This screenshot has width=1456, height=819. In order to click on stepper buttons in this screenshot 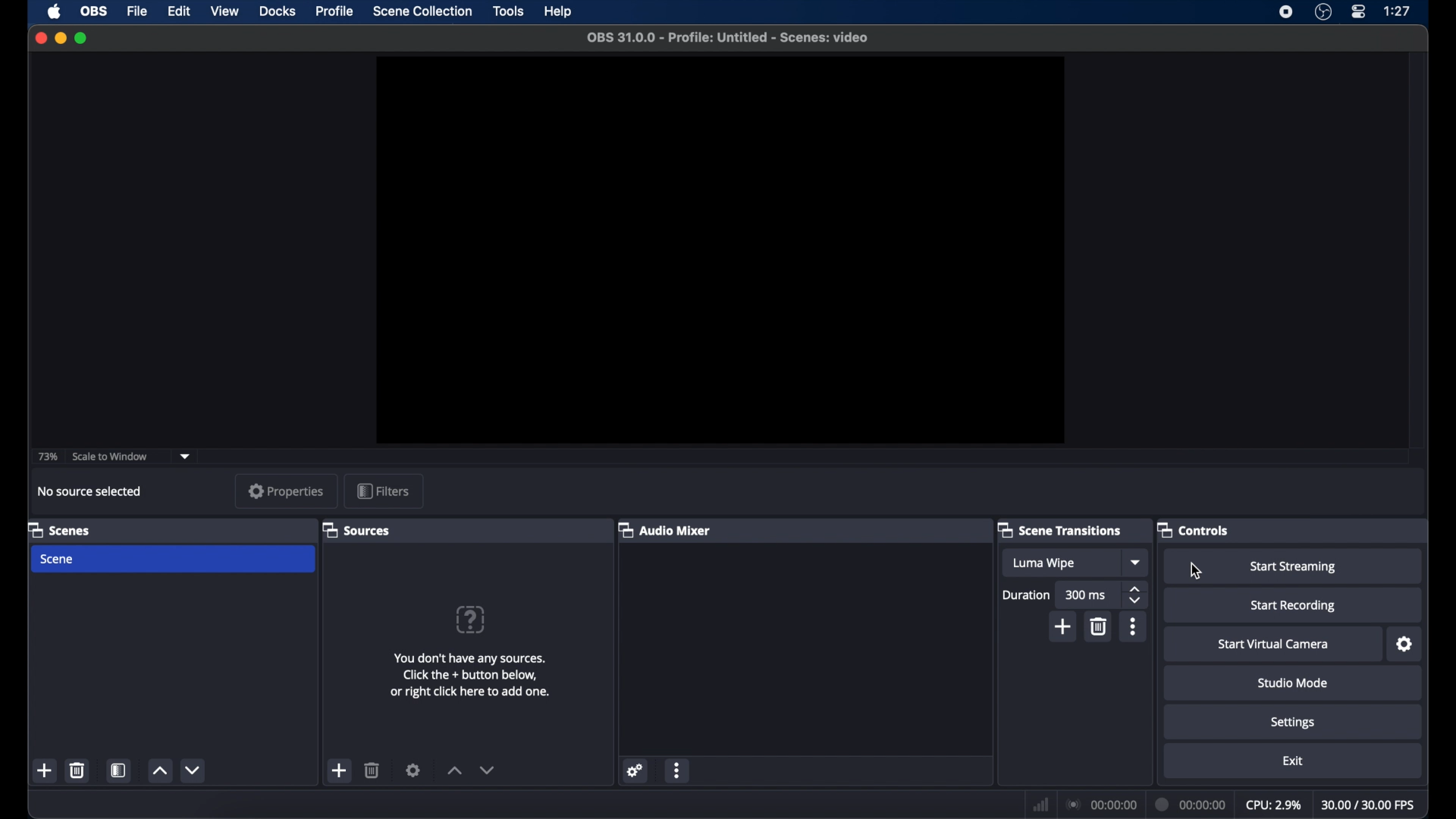, I will do `click(1136, 595)`.